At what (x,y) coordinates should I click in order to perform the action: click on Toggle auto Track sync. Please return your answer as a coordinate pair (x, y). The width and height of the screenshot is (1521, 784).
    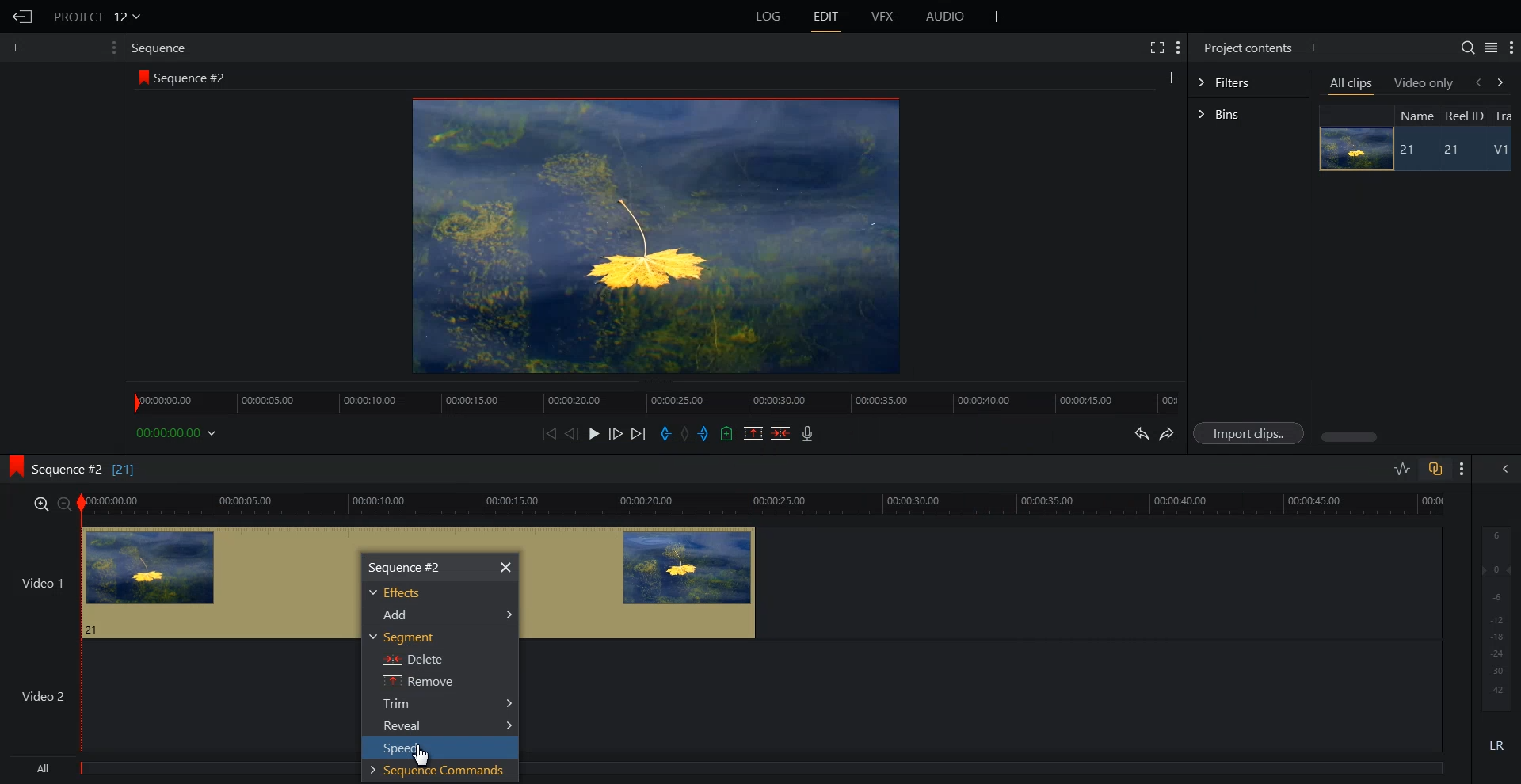
    Looking at the image, I should click on (1435, 469).